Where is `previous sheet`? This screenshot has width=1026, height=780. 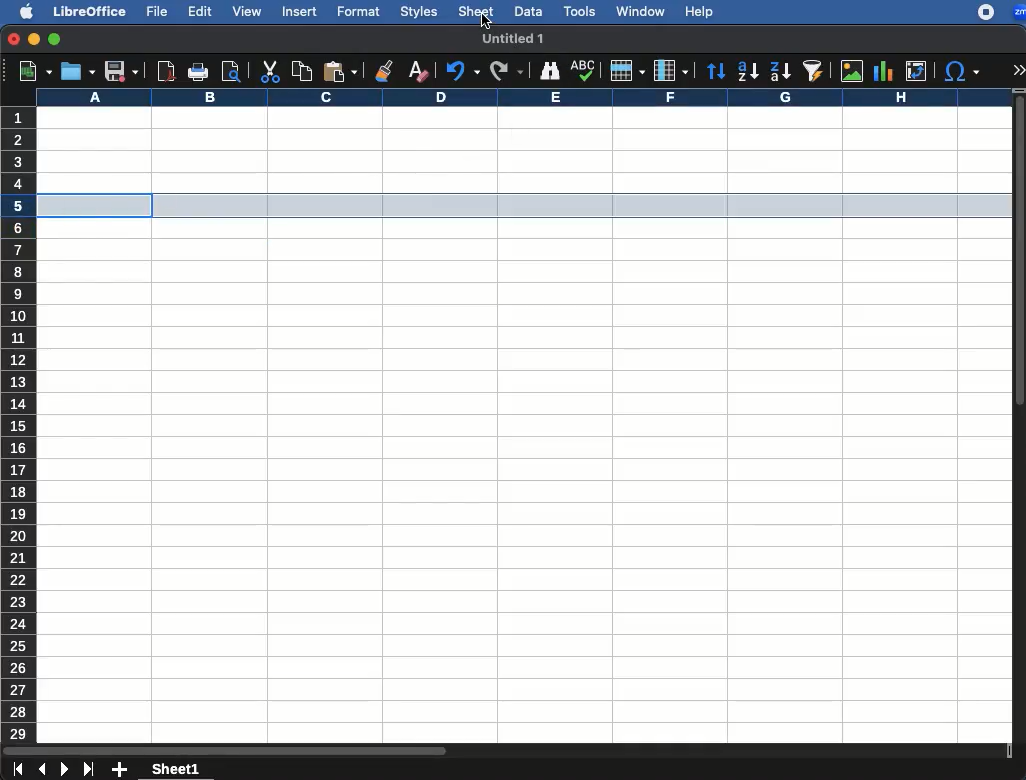
previous sheet is located at coordinates (40, 769).